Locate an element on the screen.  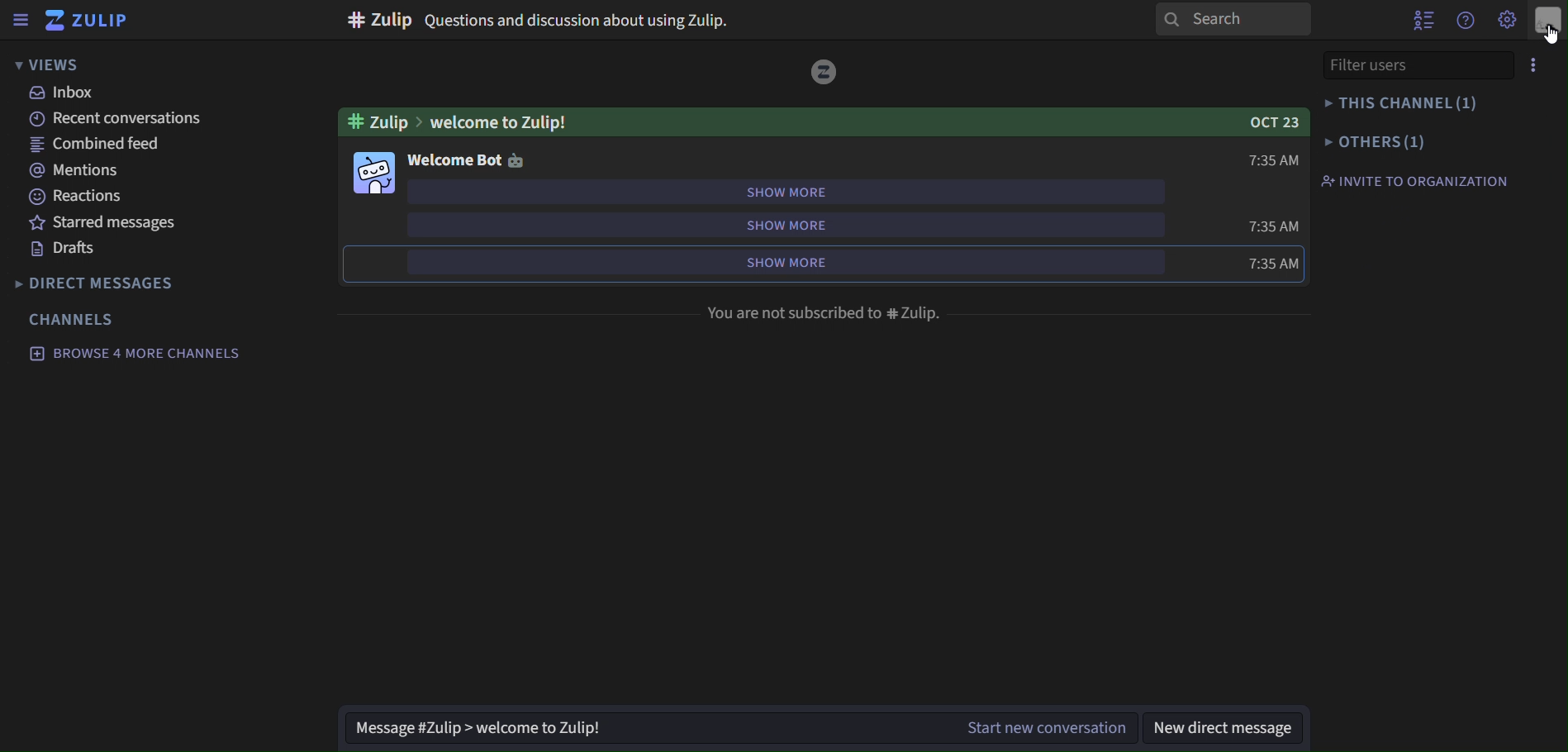
show more is located at coordinates (790, 227).